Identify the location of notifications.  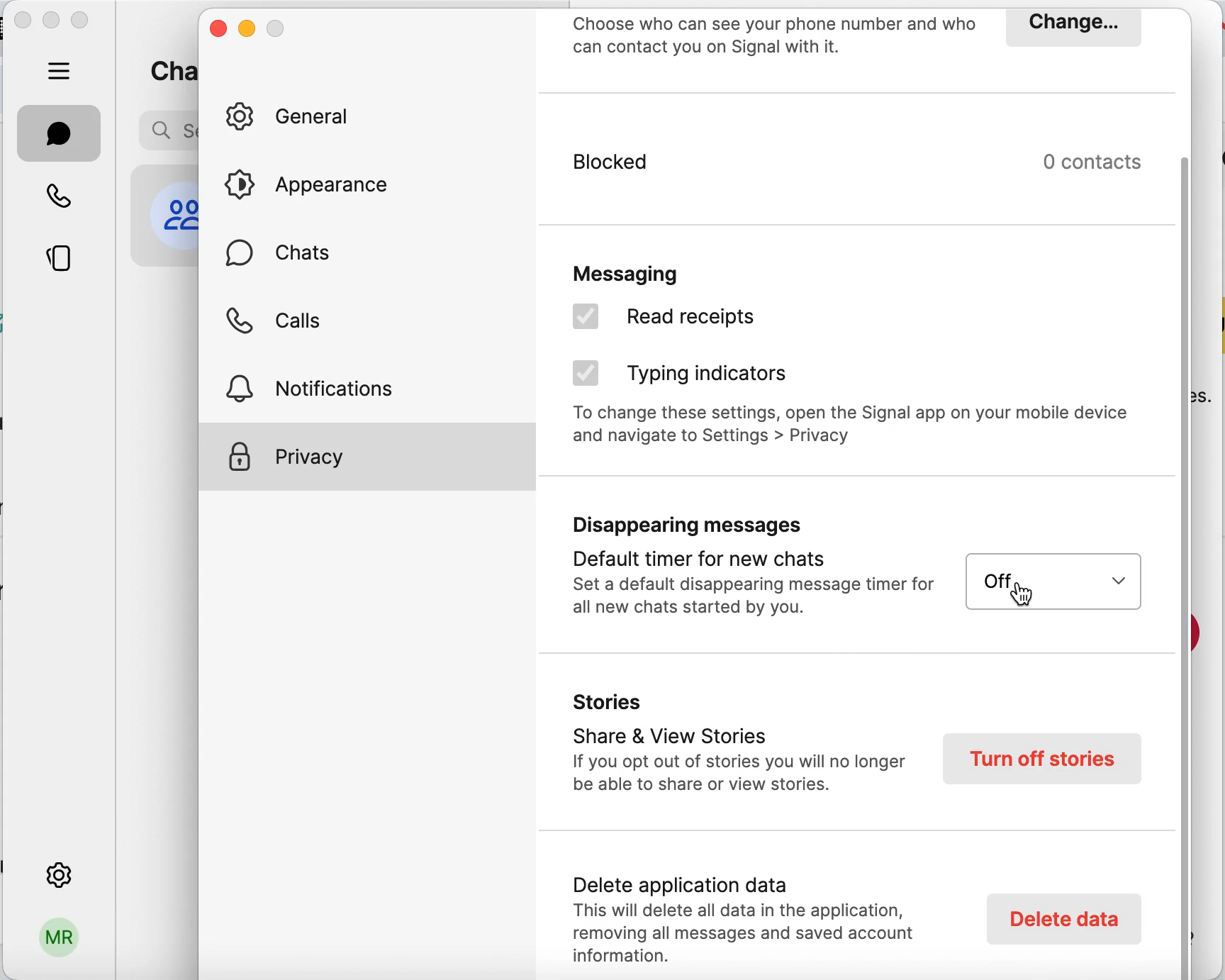
(327, 386).